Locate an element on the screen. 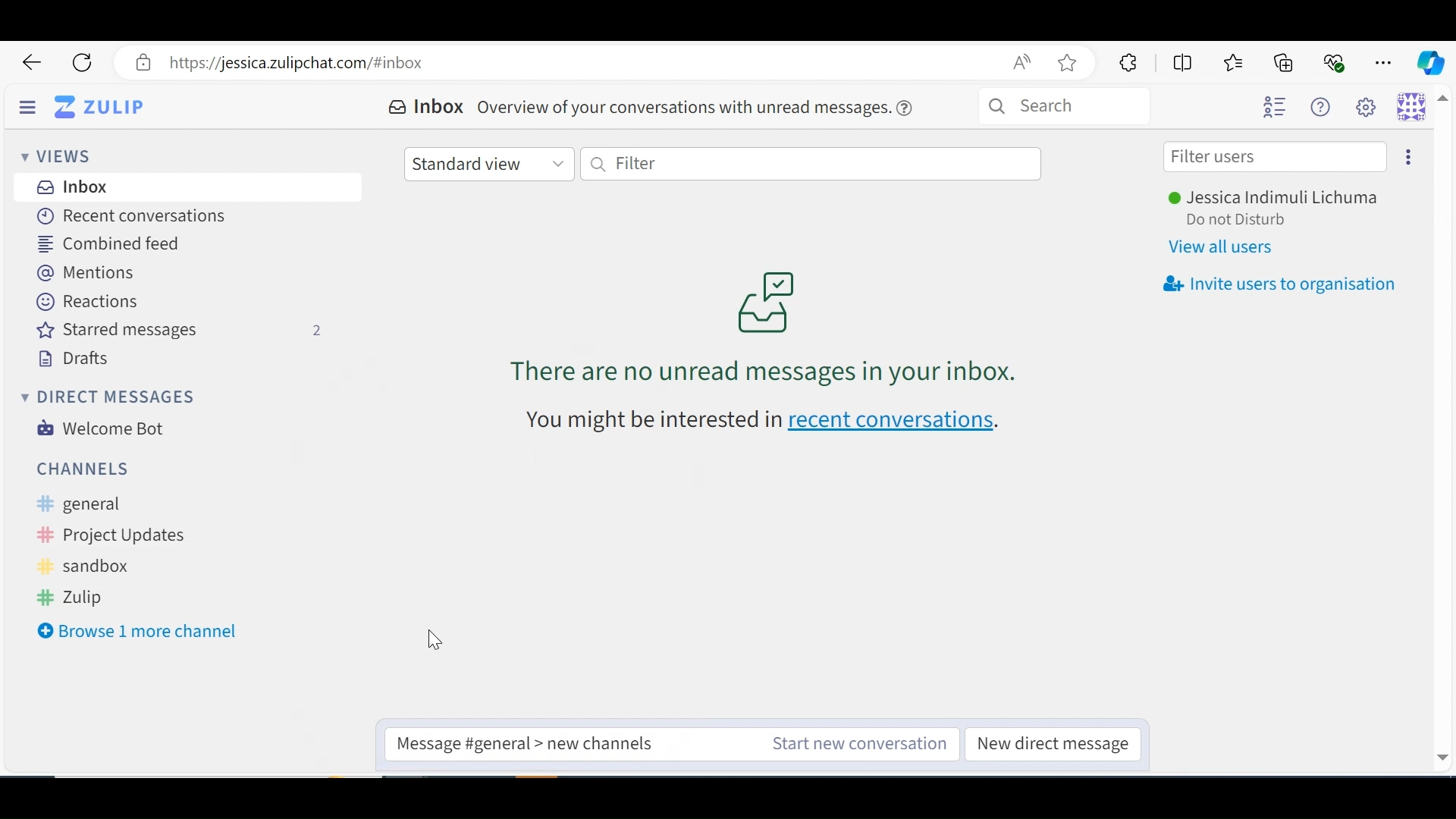  unread messages is located at coordinates (764, 326).